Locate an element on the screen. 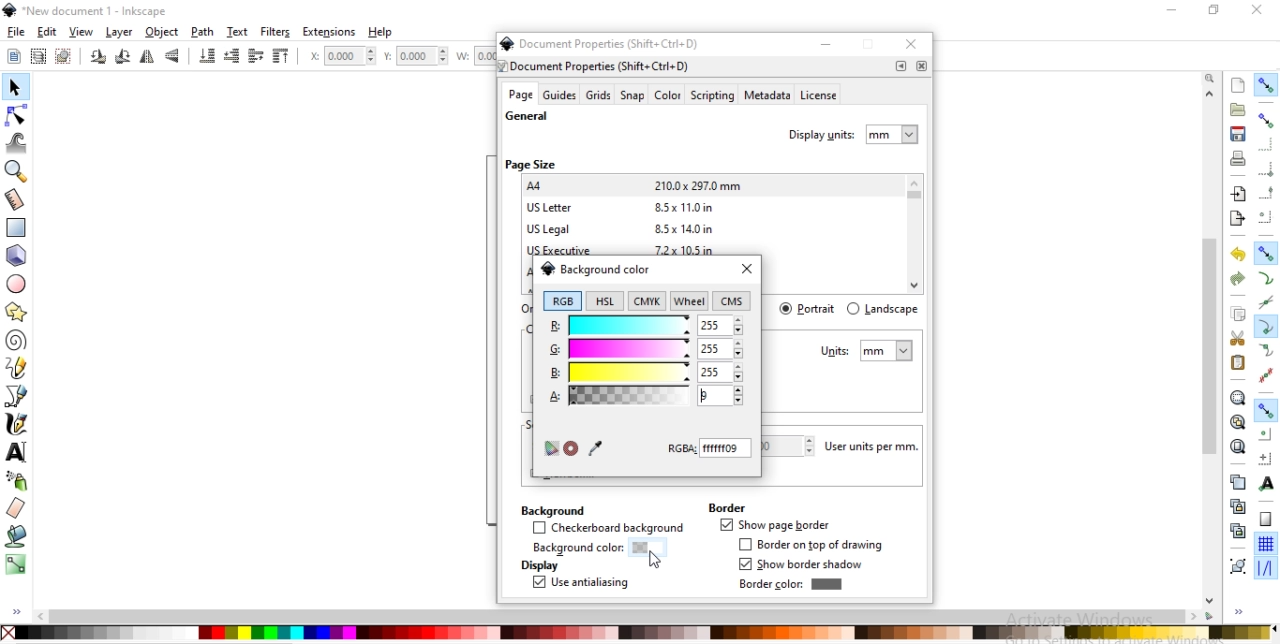 The image size is (1280, 644). create circles, arcs and ellipses is located at coordinates (18, 285).